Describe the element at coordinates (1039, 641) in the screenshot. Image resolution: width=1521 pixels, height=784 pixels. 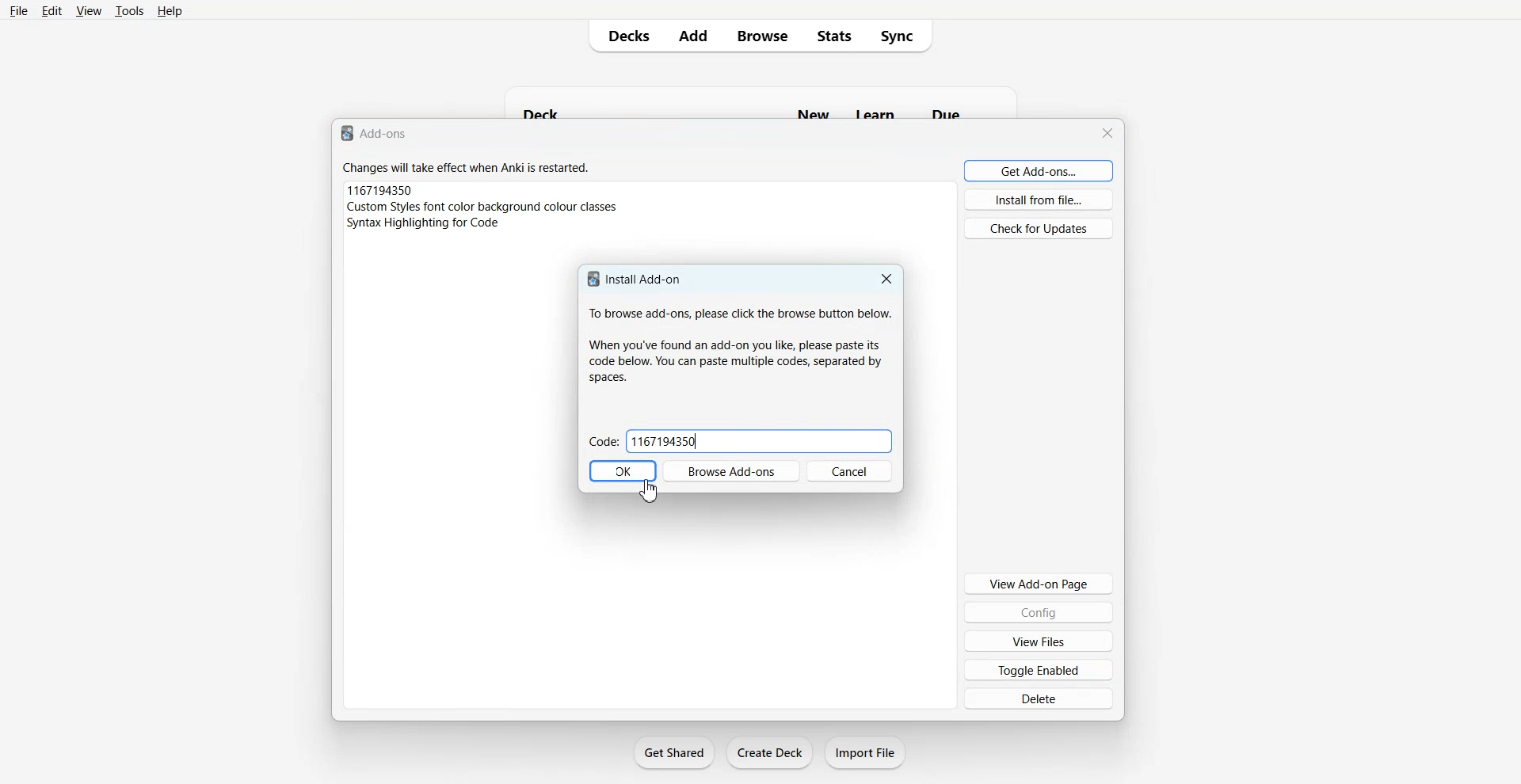
I see `View Files` at that location.